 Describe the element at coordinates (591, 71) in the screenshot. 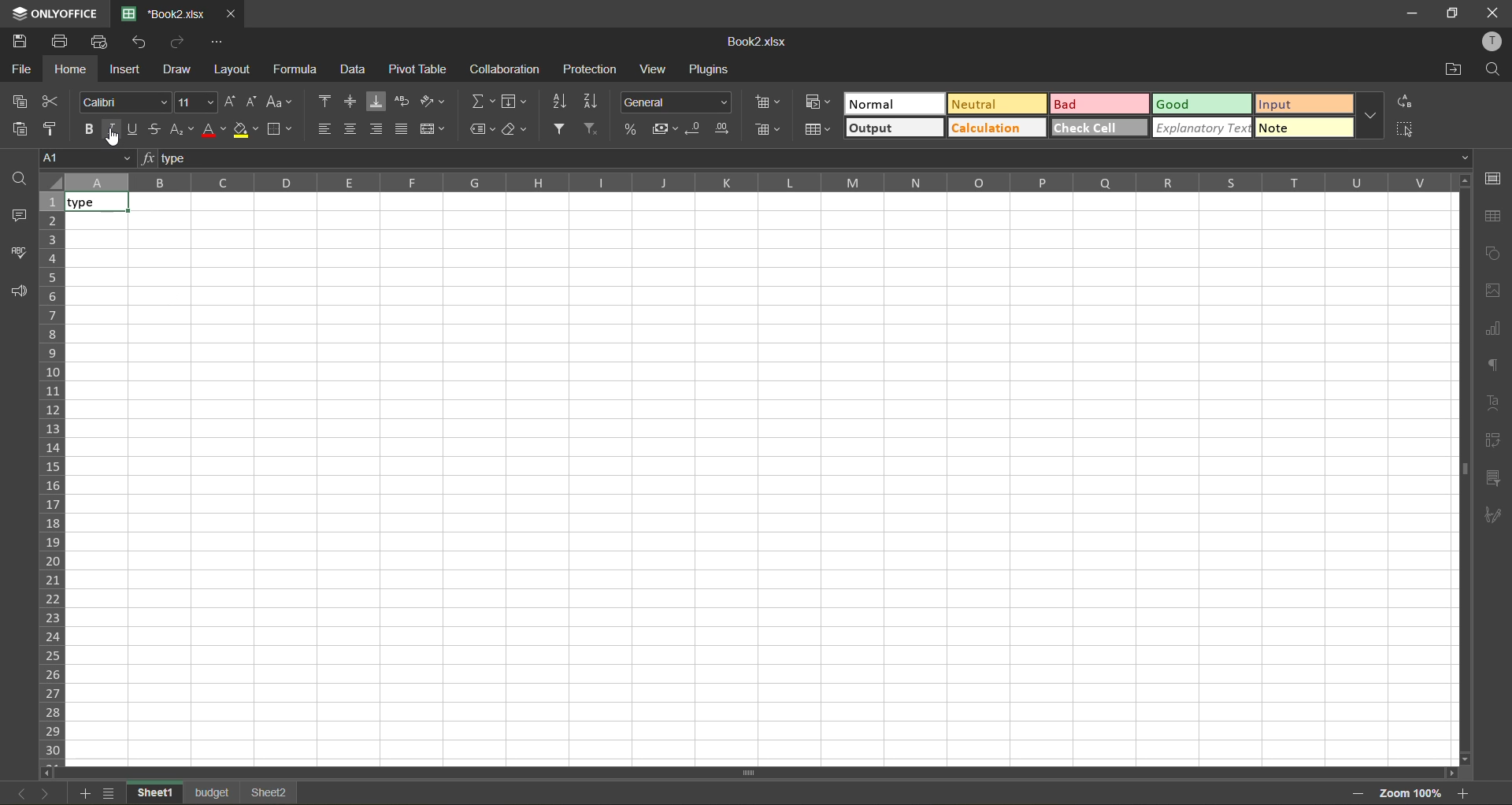

I see `protection` at that location.